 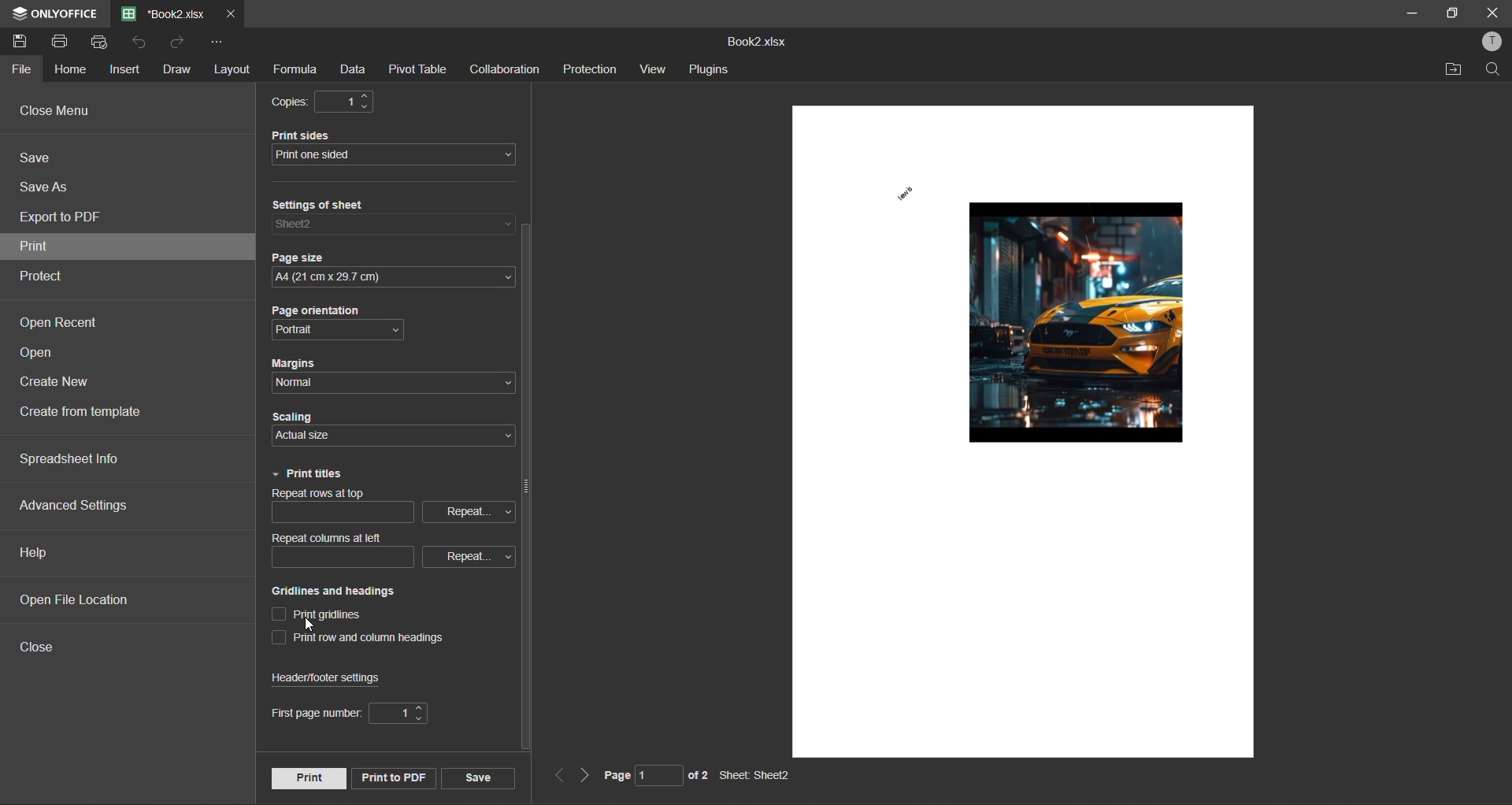 What do you see at coordinates (1497, 73) in the screenshot?
I see `find` at bounding box center [1497, 73].